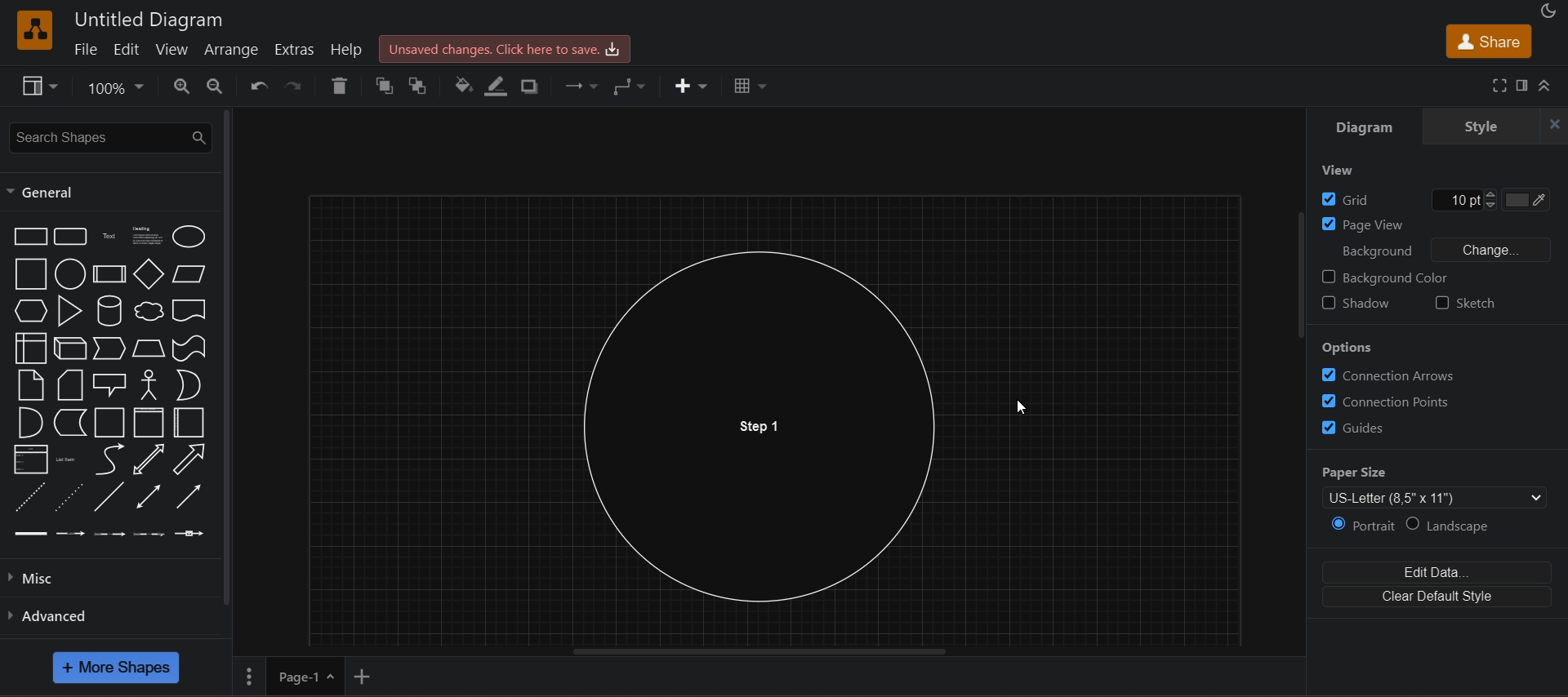 This screenshot has width=1568, height=697. I want to click on share, so click(1490, 44).